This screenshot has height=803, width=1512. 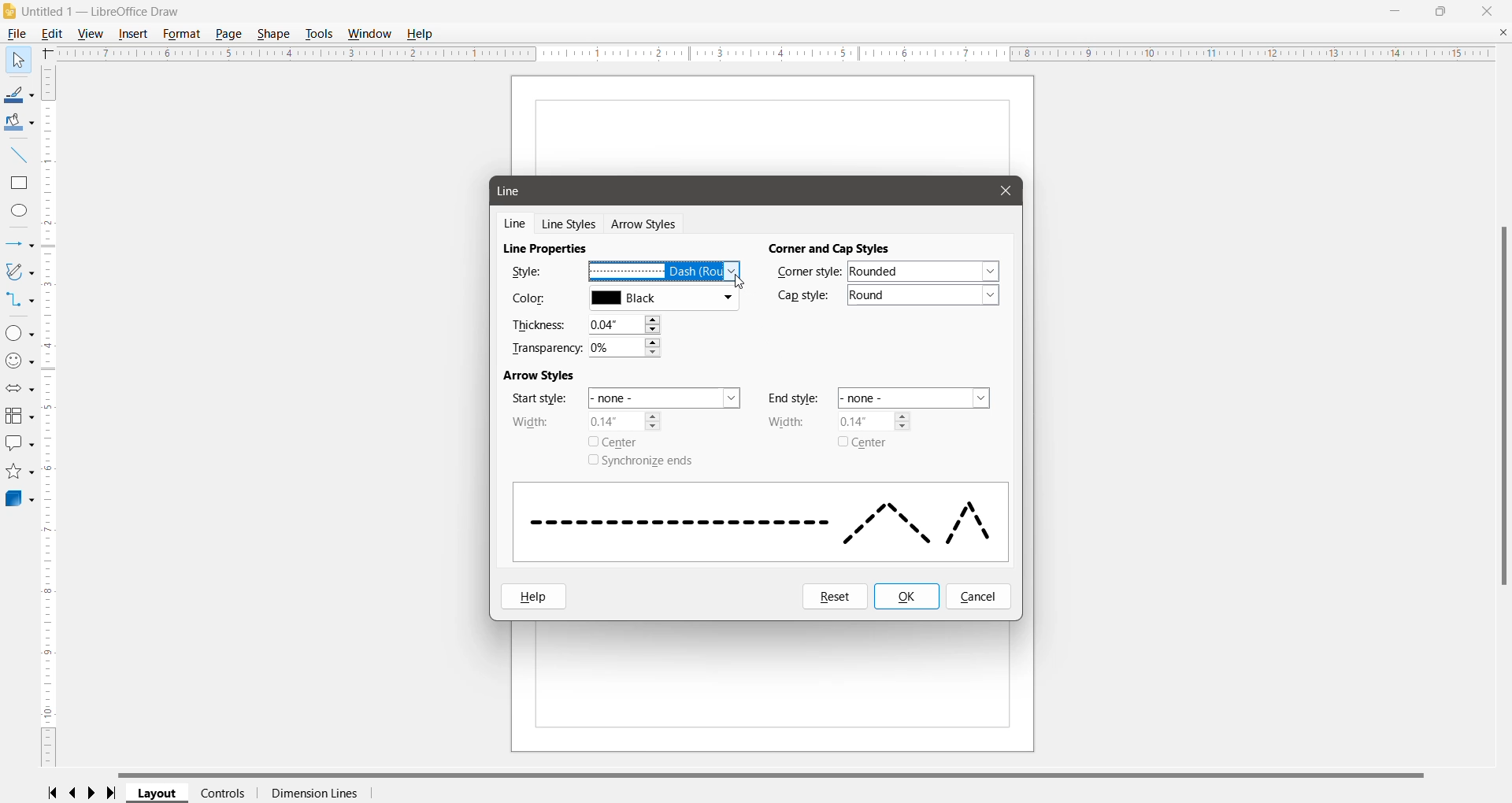 I want to click on Minimize, so click(x=1395, y=10).